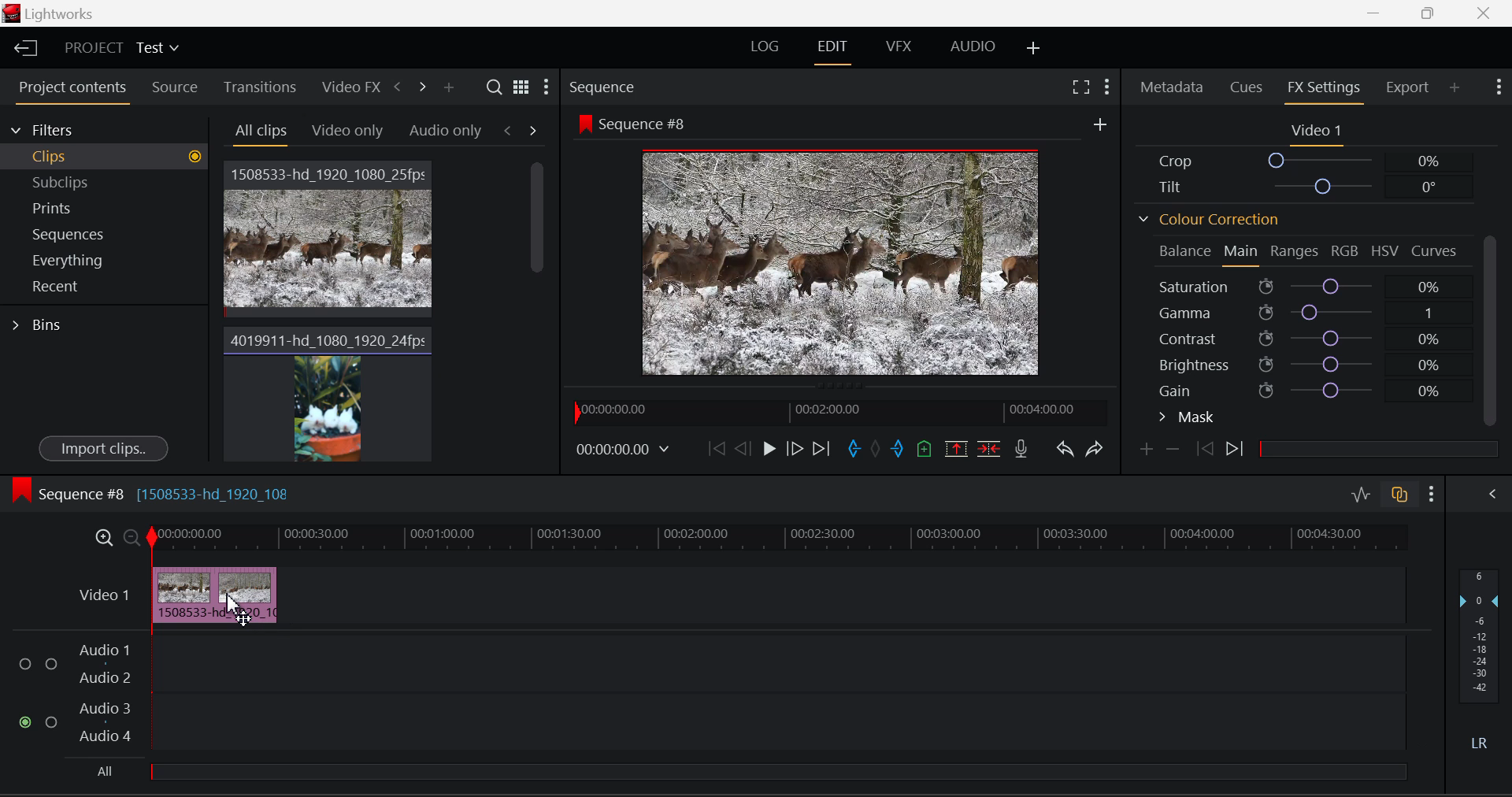 This screenshot has width=1512, height=797. I want to click on Settings, so click(549, 87).